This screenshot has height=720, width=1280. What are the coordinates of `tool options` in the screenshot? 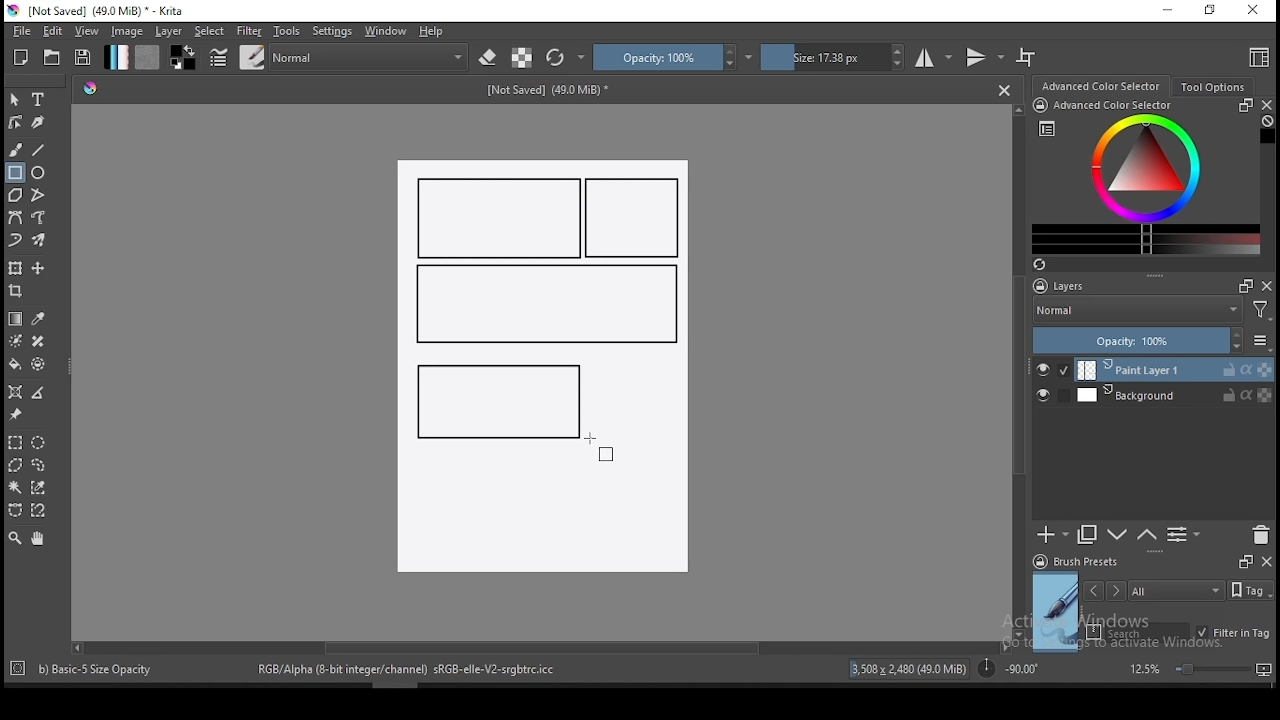 It's located at (1214, 87).